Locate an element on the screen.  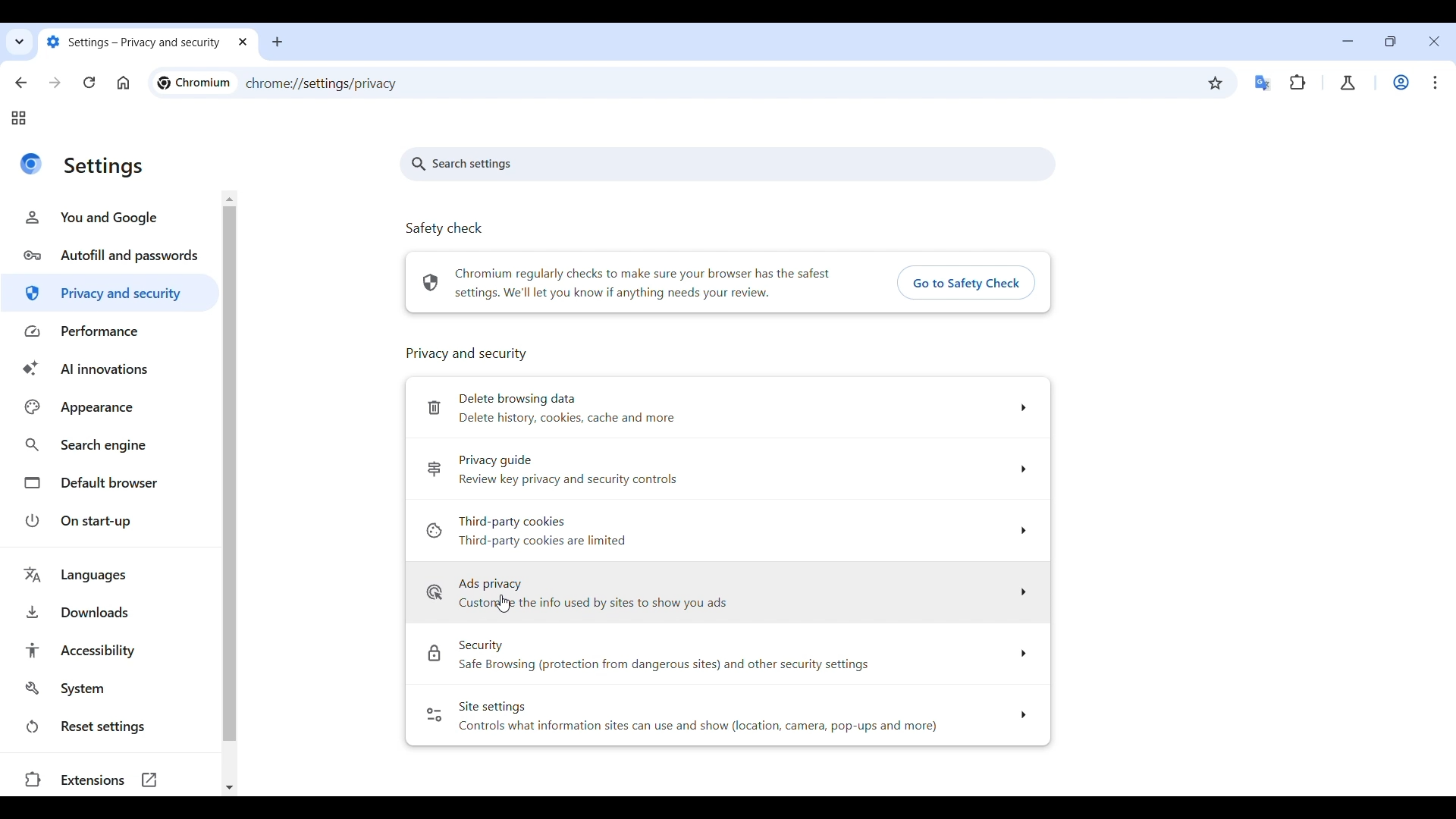
Click to go to safety check is located at coordinates (965, 282).